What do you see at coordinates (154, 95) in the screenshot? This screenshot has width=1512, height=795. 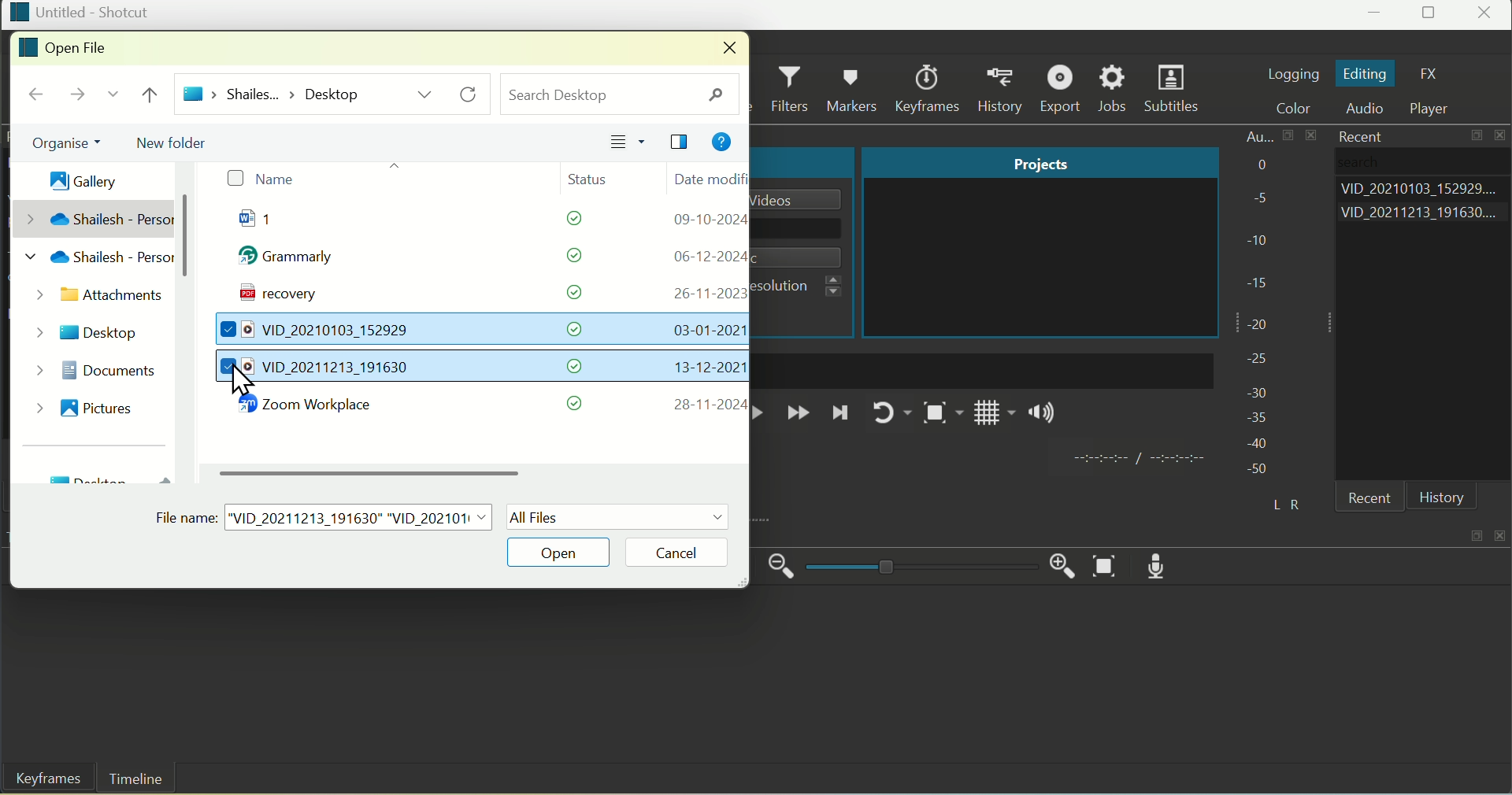 I see `up` at bounding box center [154, 95].